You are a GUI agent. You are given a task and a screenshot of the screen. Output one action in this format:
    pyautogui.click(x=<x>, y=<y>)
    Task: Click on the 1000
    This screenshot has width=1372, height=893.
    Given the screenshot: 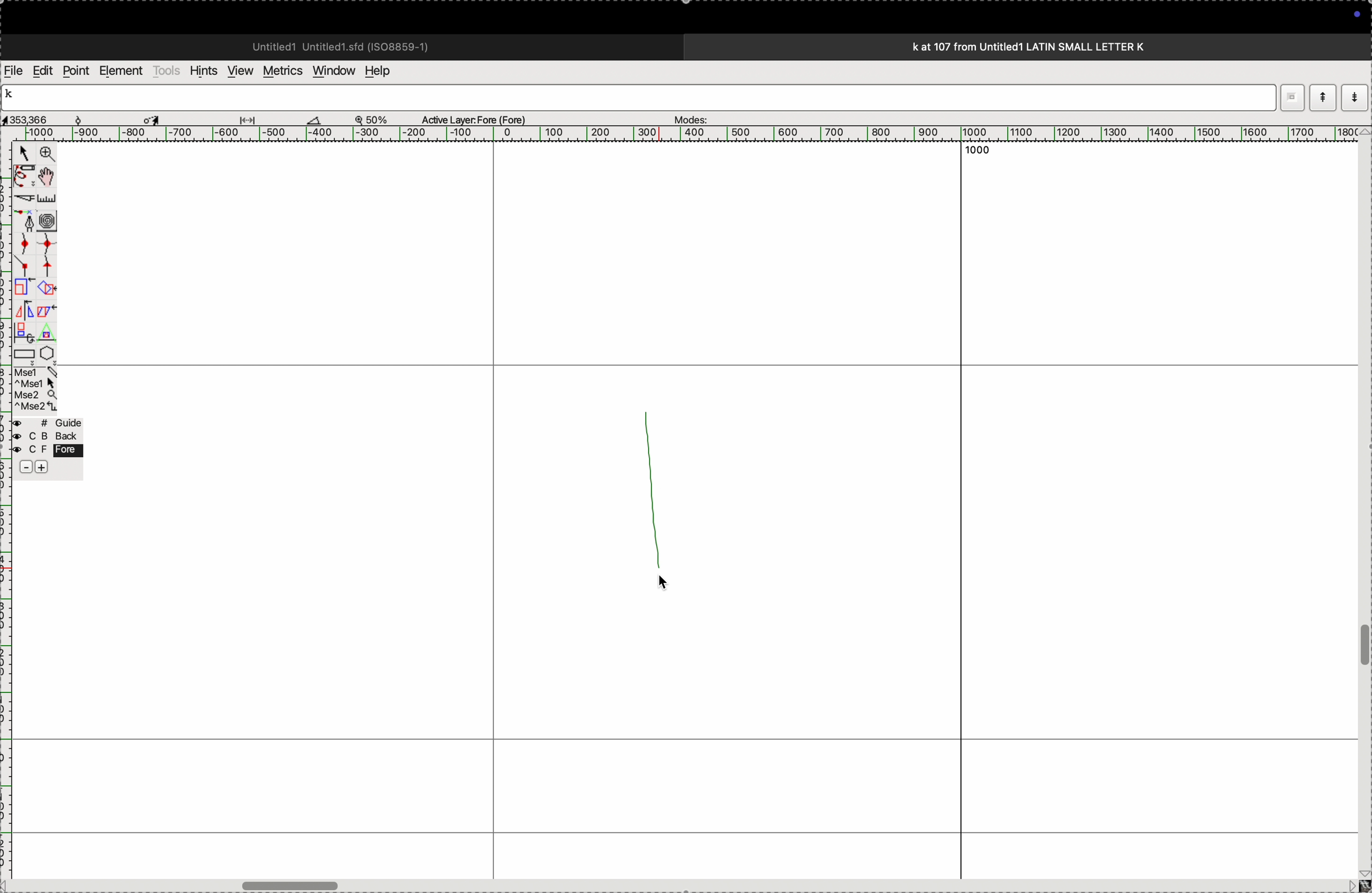 What is the action you would take?
    pyautogui.click(x=979, y=152)
    